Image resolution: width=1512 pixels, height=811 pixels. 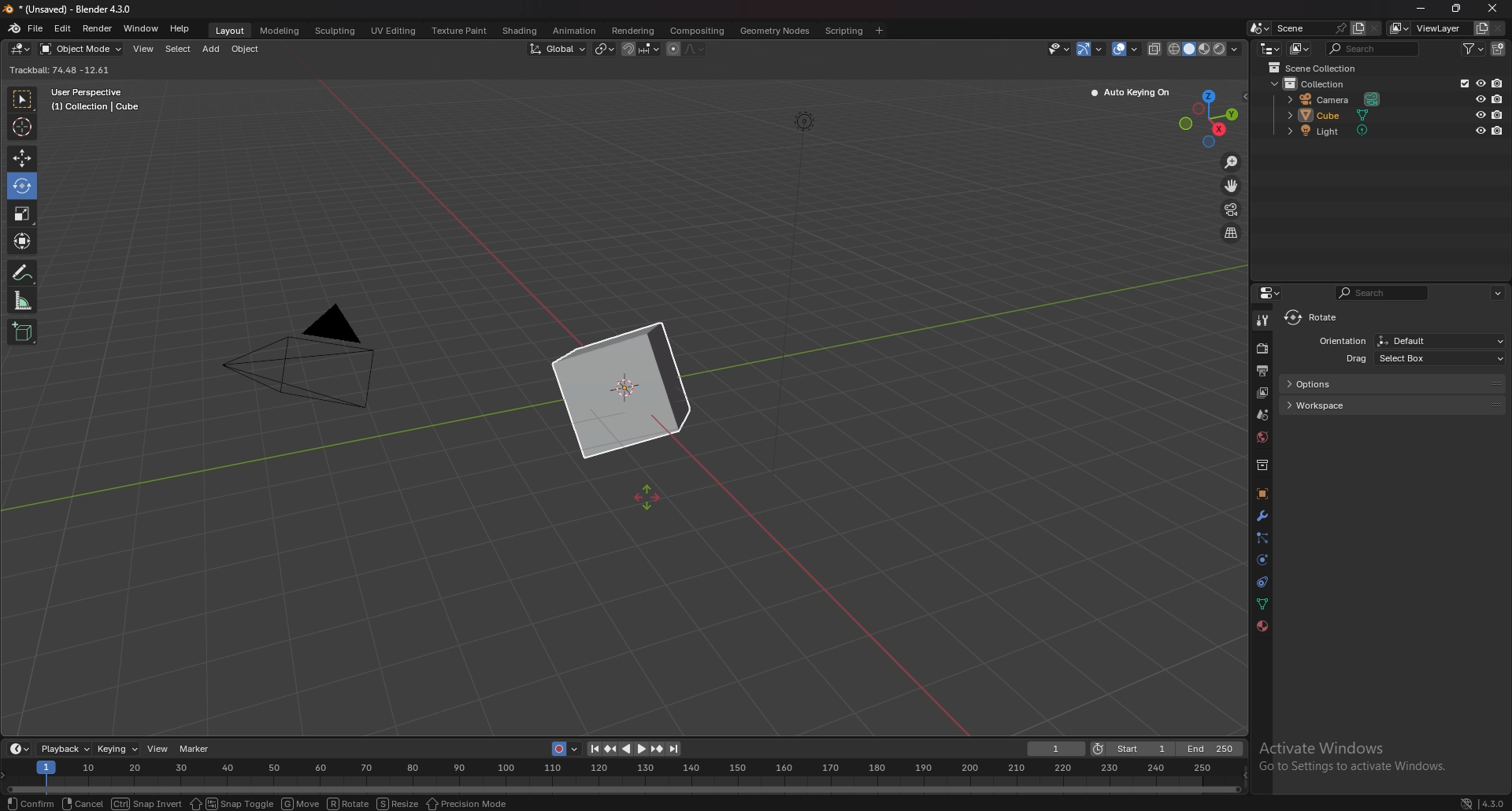 What do you see at coordinates (233, 32) in the screenshot?
I see `layout` at bounding box center [233, 32].